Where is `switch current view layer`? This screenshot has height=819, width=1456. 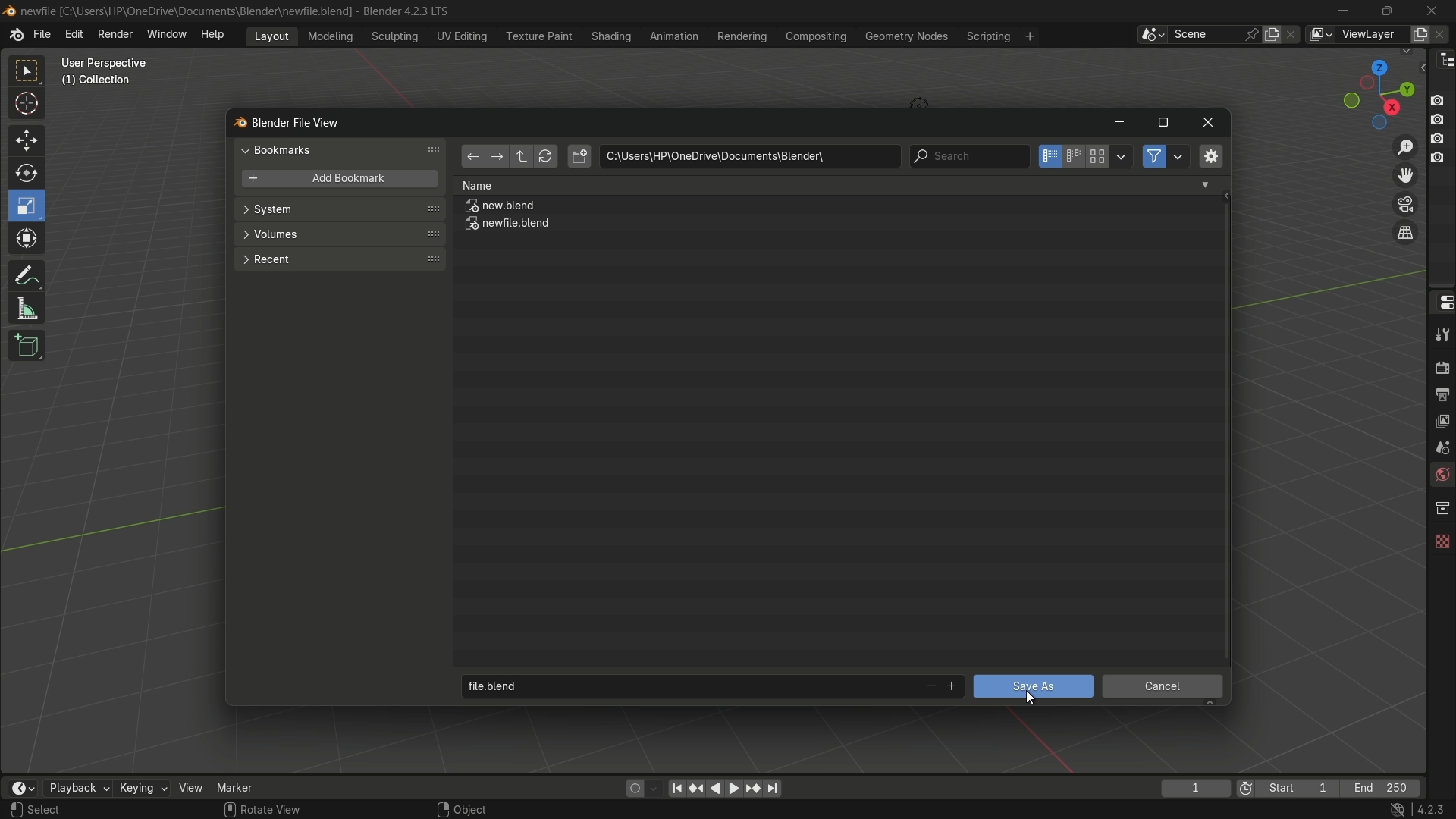
switch current view layer is located at coordinates (1405, 234).